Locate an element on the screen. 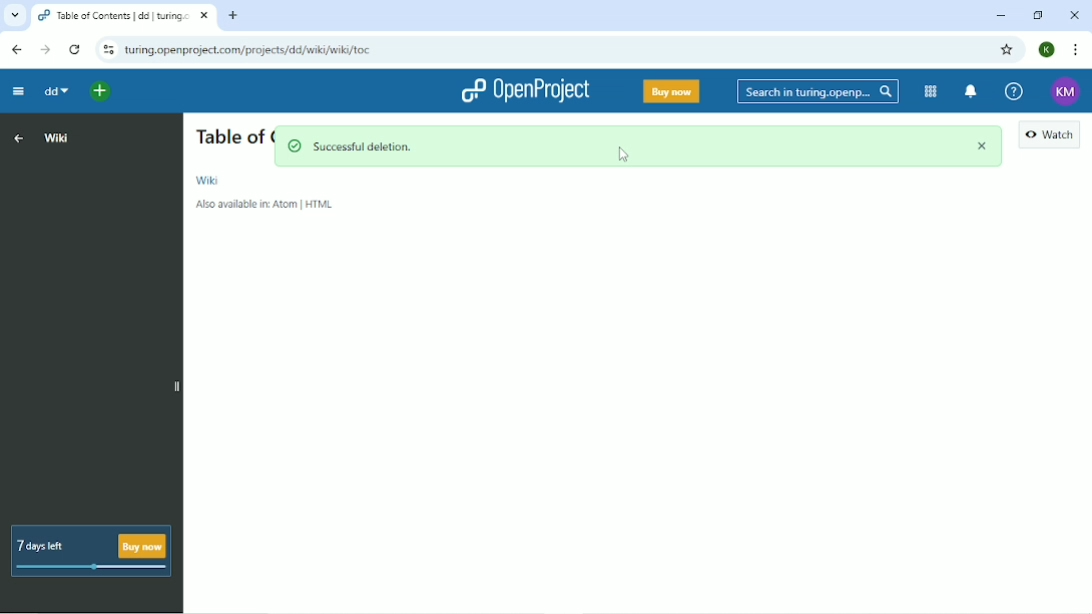 Image resolution: width=1092 pixels, height=614 pixels. Account is located at coordinates (1047, 50).